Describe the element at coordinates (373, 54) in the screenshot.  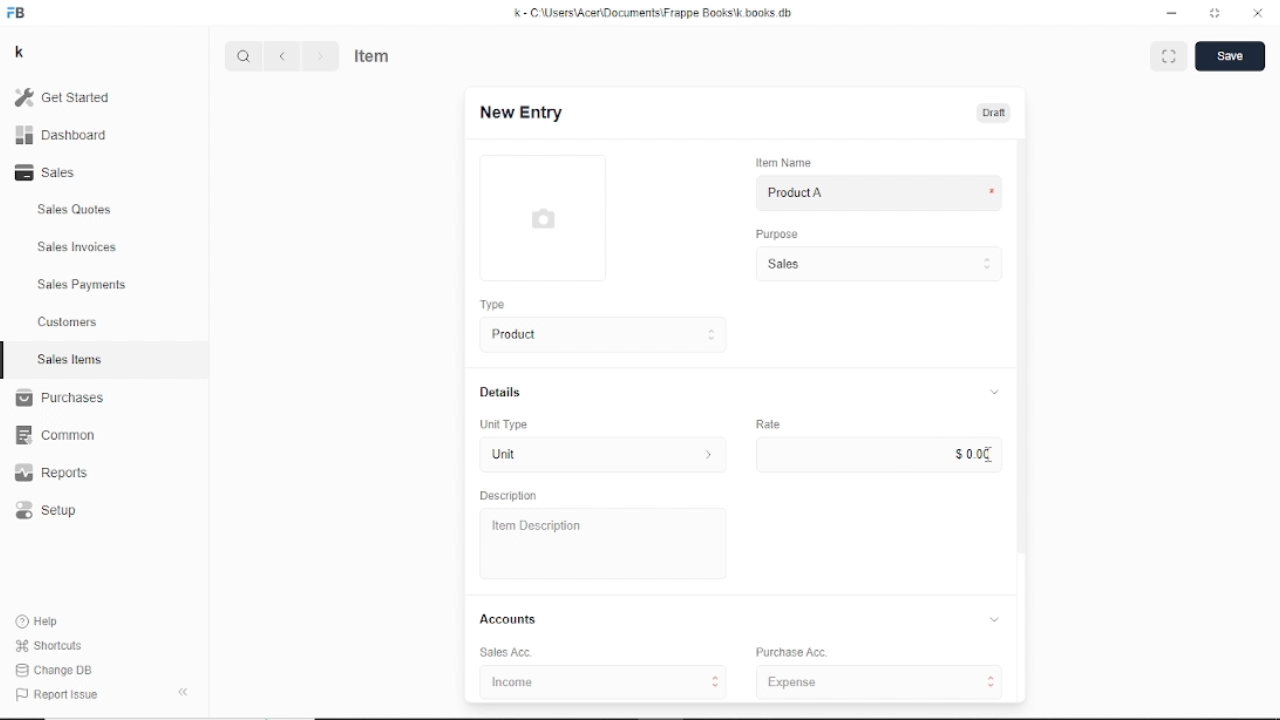
I see ` Item` at that location.